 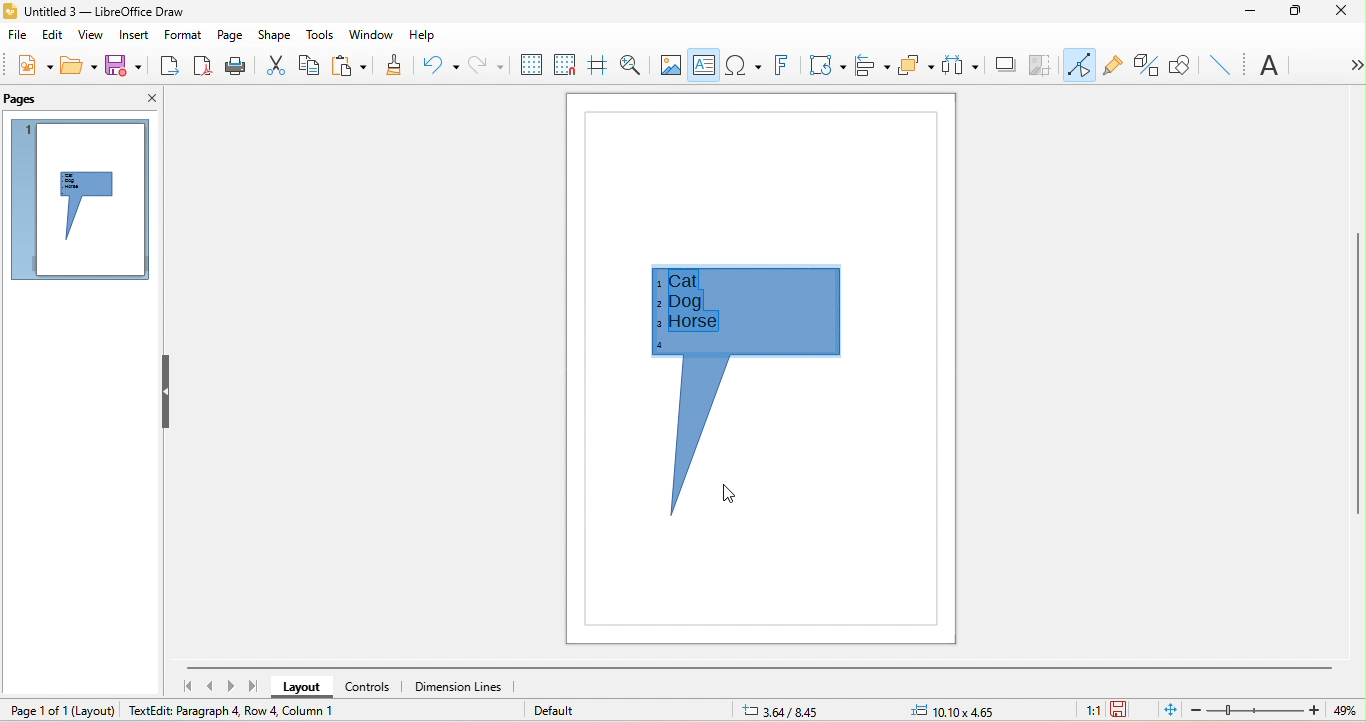 What do you see at coordinates (299, 688) in the screenshot?
I see `layout` at bounding box center [299, 688].